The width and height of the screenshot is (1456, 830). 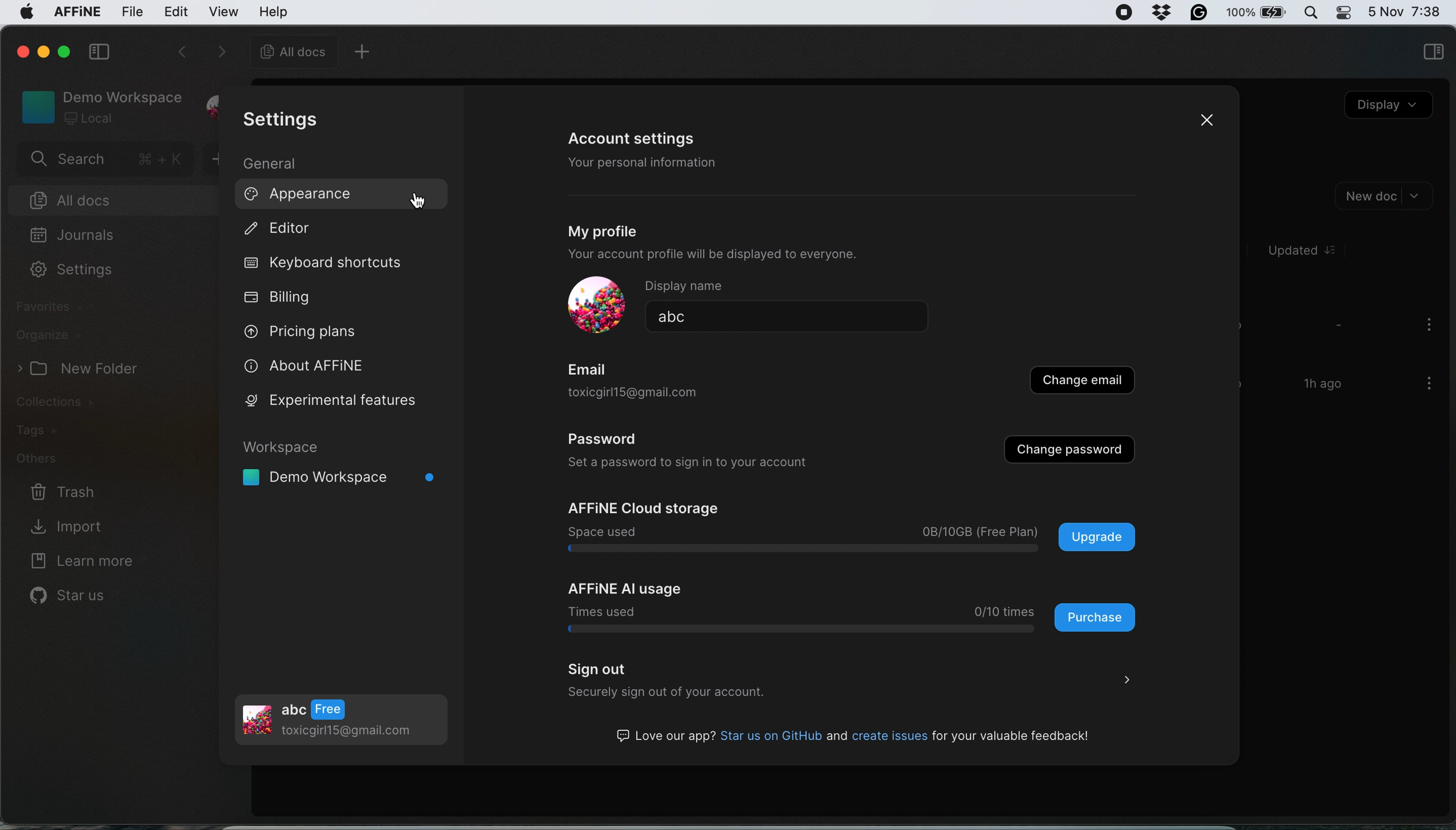 I want to click on I Demo Workspace °, so click(x=341, y=478).